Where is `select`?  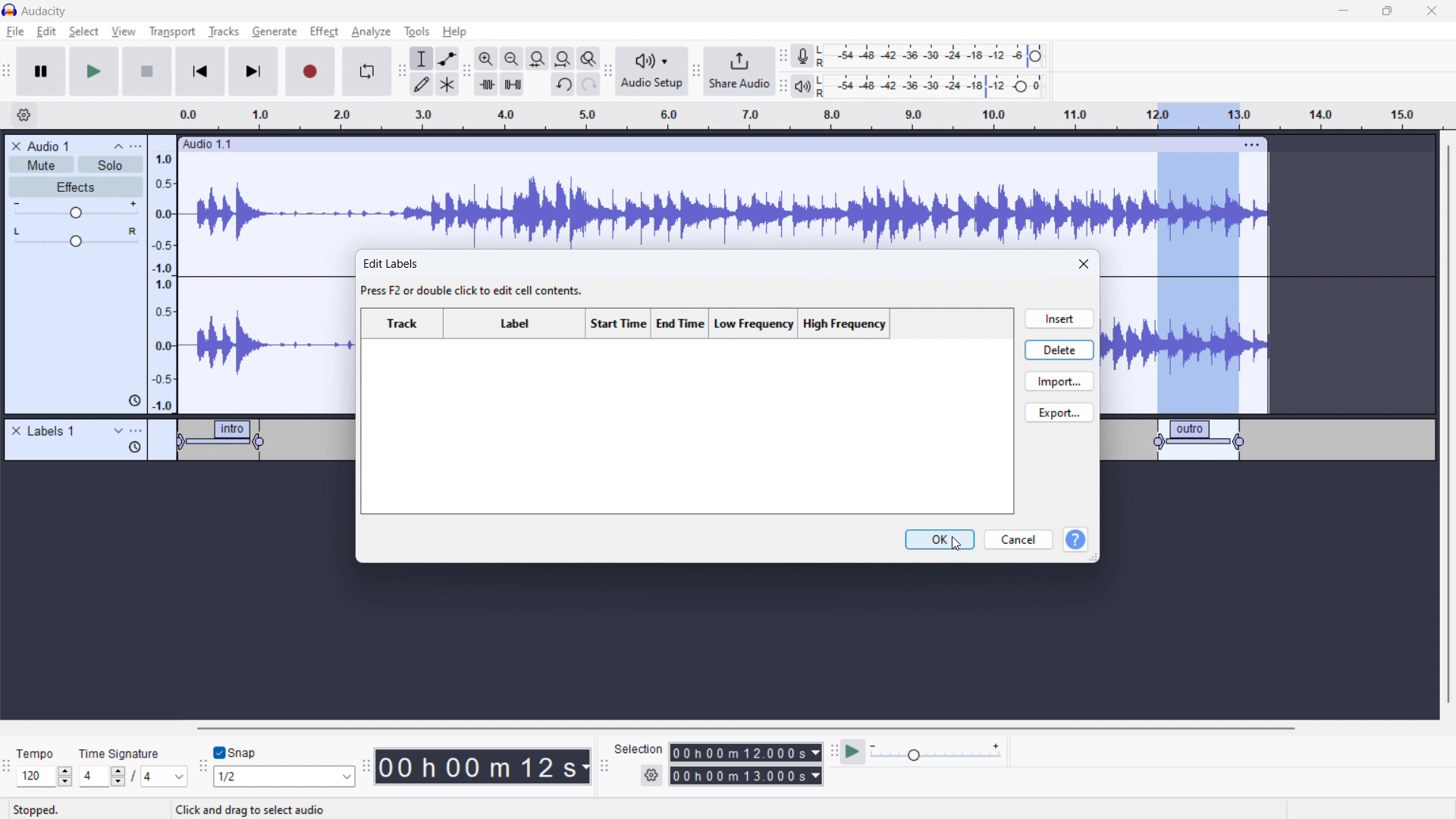 select is located at coordinates (83, 31).